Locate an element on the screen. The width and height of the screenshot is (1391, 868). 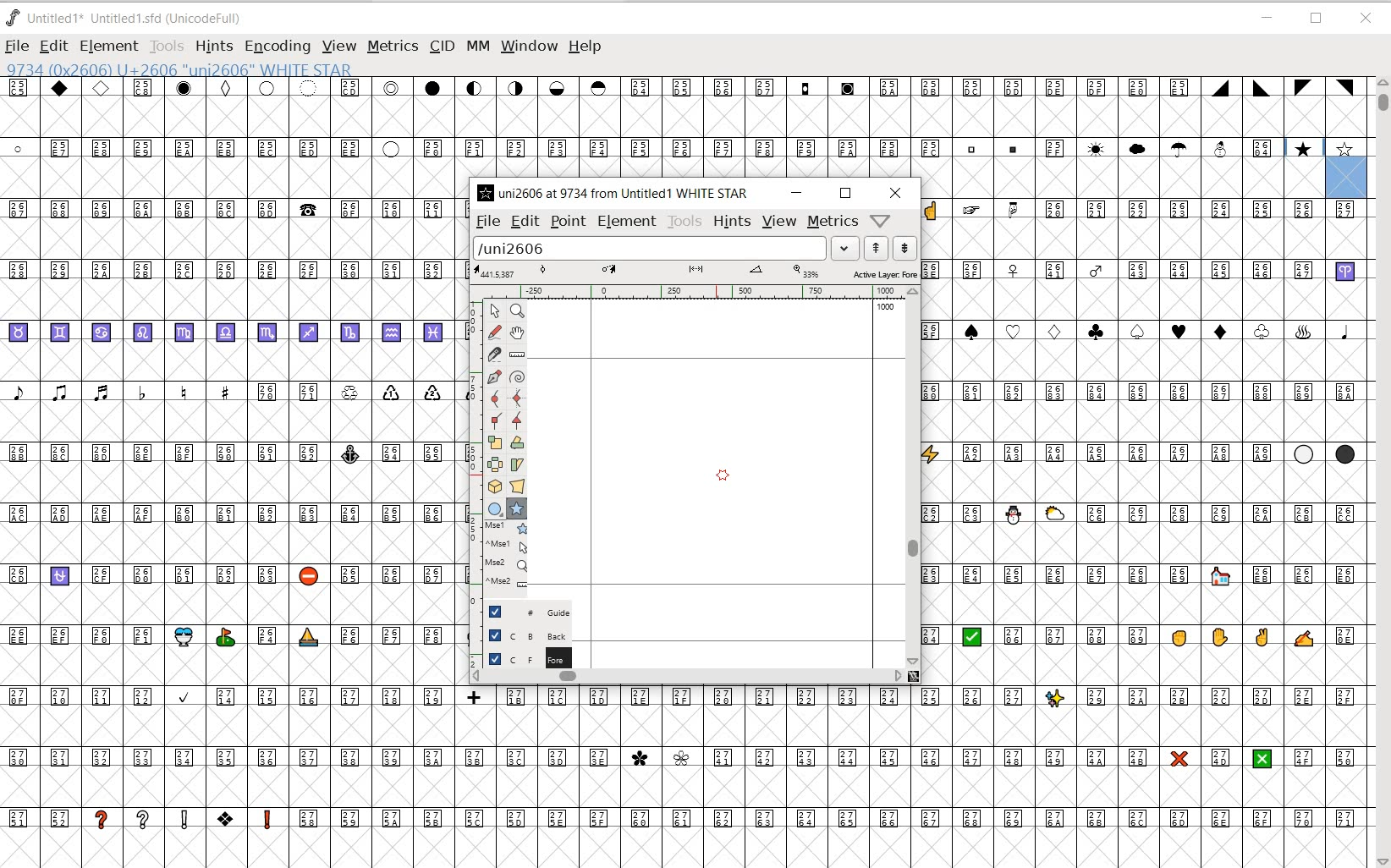
CURSOR is located at coordinates (879, 64).